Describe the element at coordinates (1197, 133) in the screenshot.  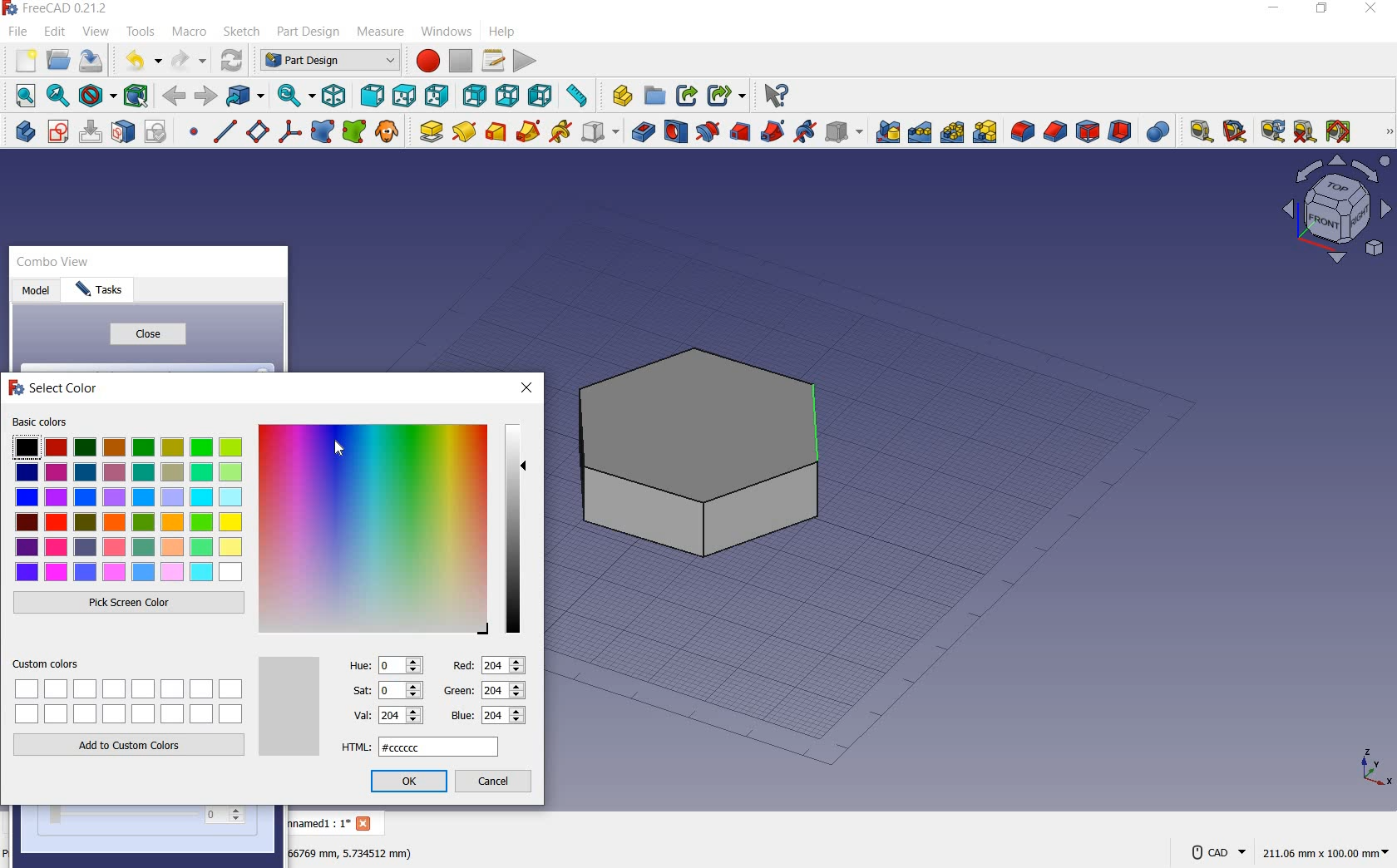
I see `measure linear` at that location.